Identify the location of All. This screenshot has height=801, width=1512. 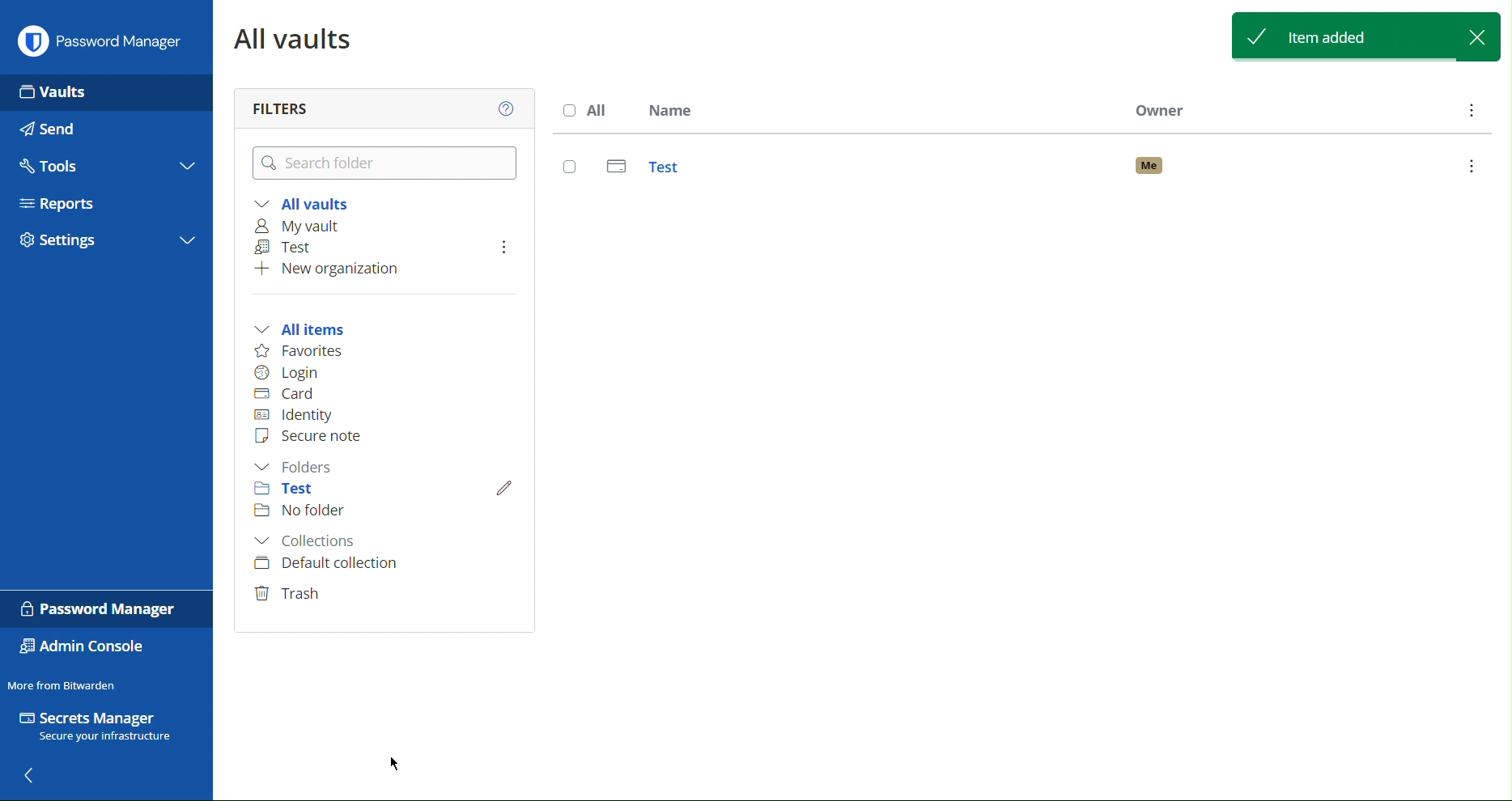
(584, 108).